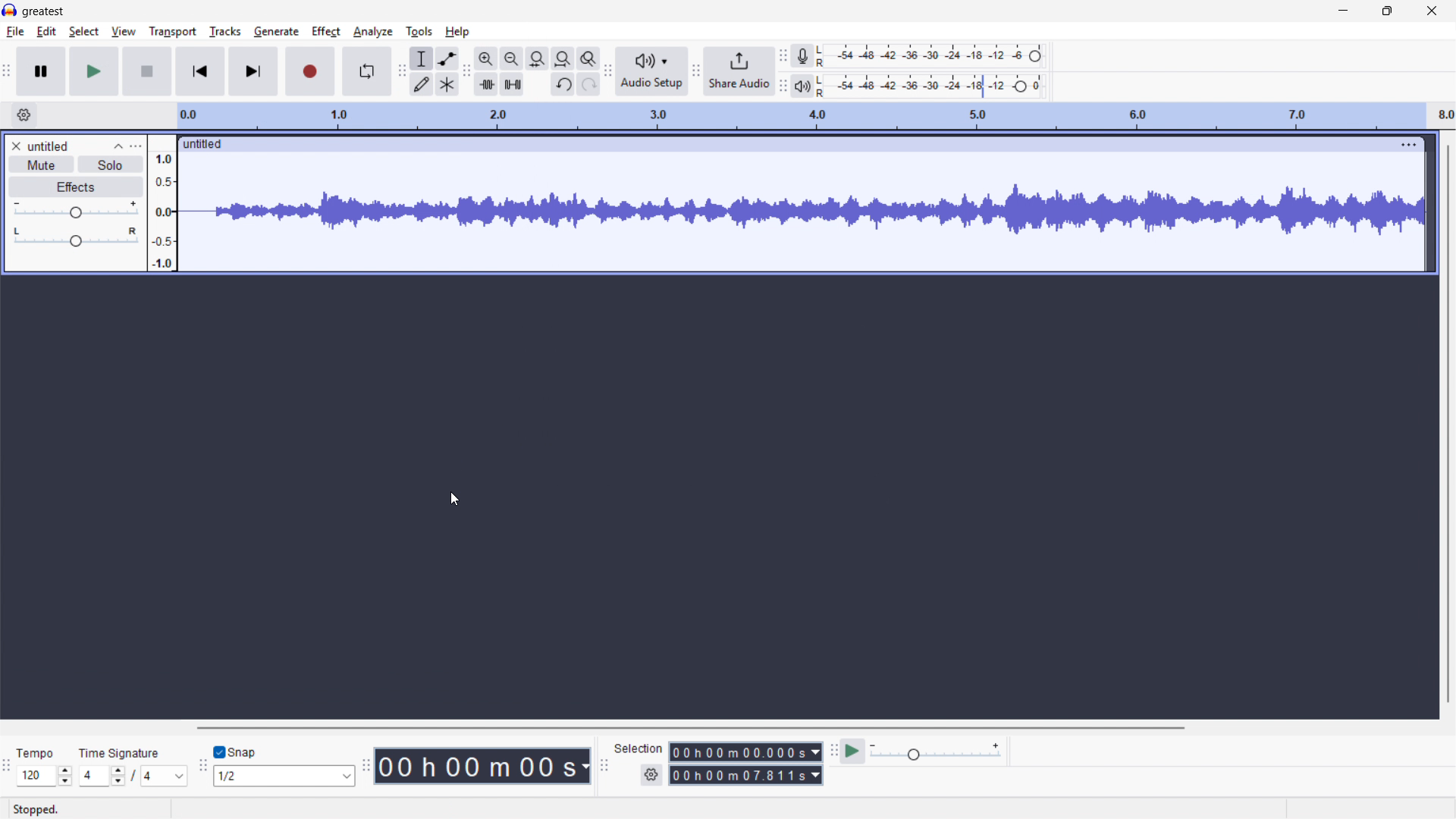 The height and width of the screenshot is (819, 1456). What do you see at coordinates (284, 777) in the screenshot?
I see `set snapping` at bounding box center [284, 777].